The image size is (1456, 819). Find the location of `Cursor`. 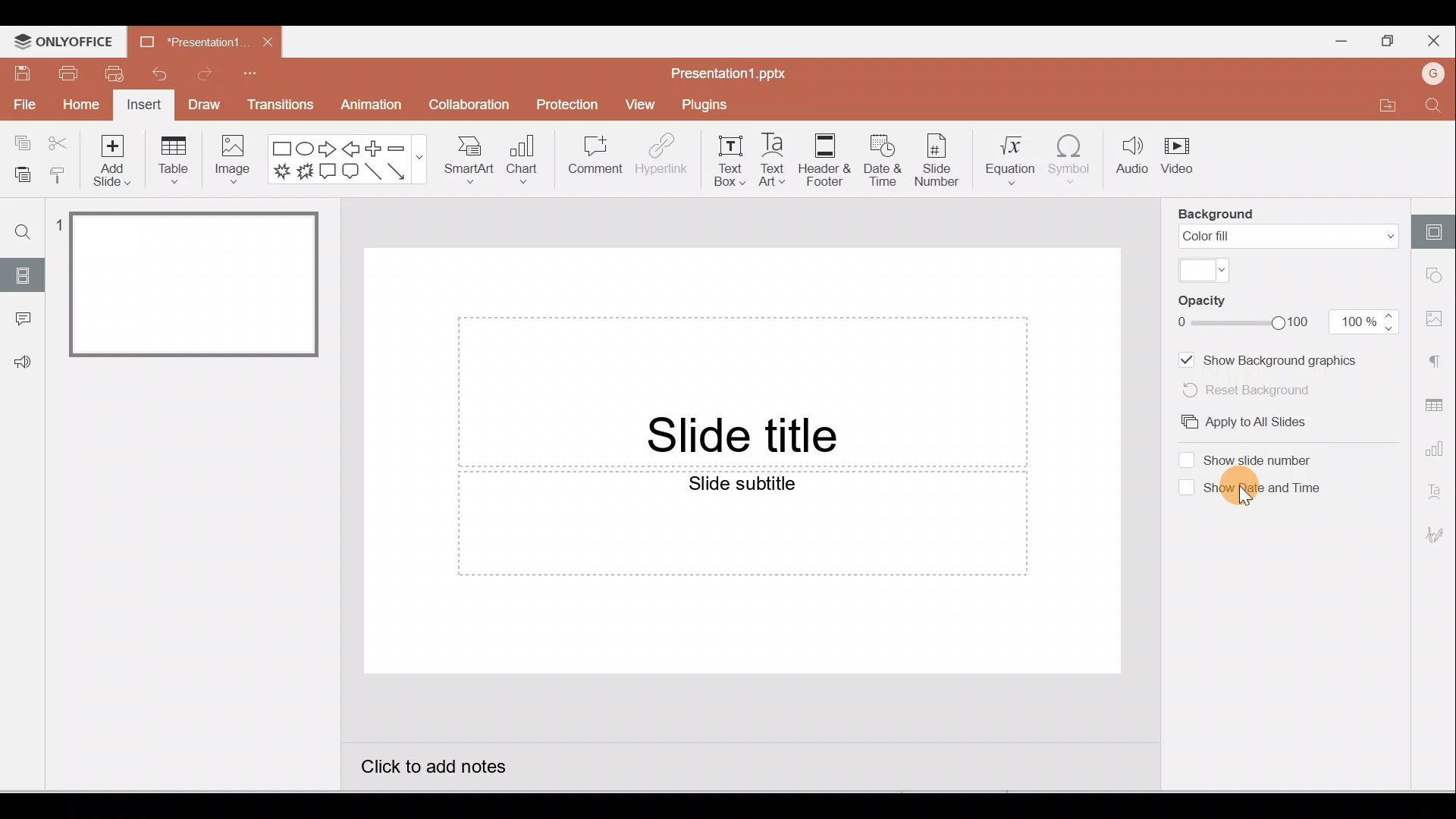

Cursor is located at coordinates (1245, 495).